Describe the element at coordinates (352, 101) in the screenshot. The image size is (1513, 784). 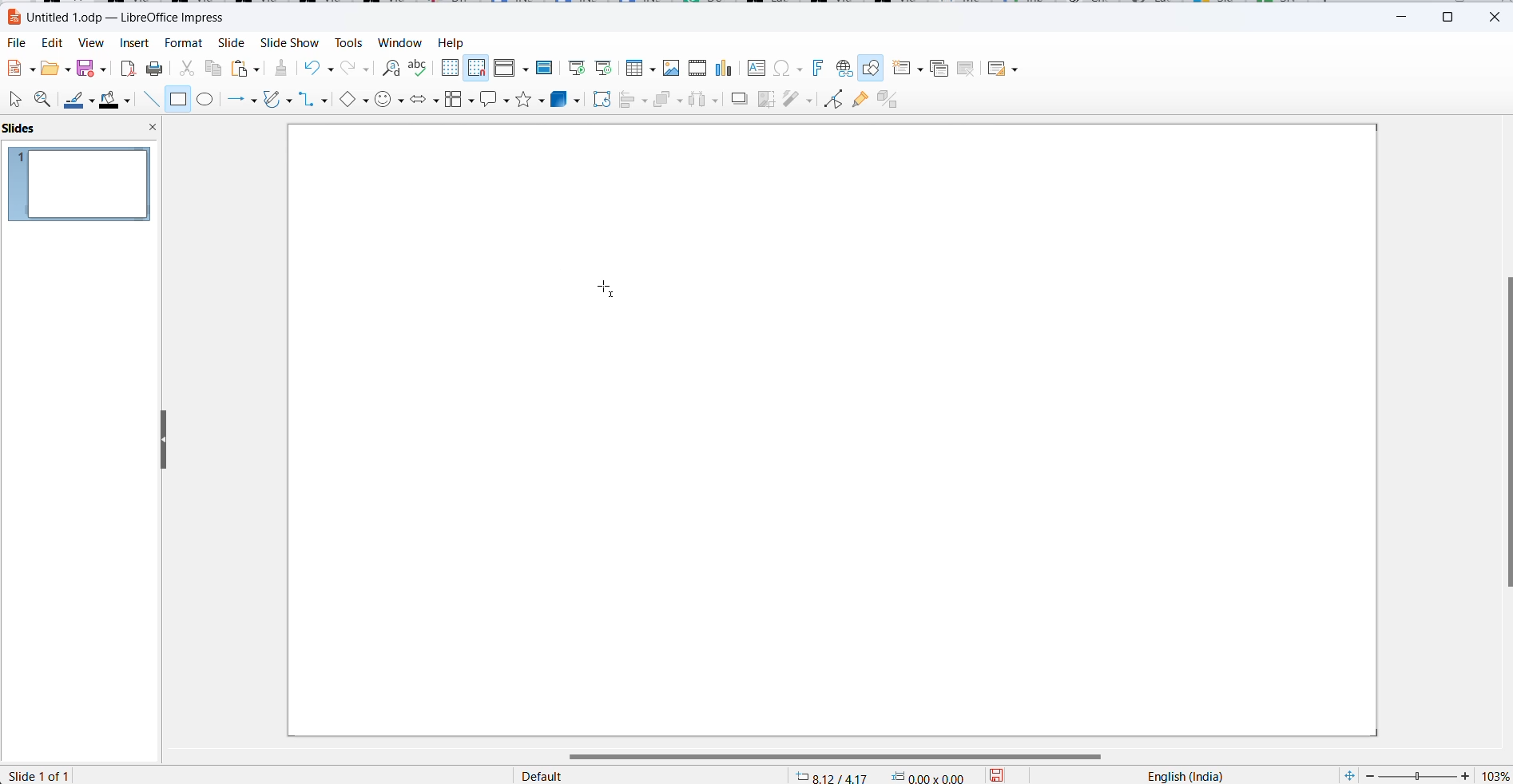
I see `basic shapes` at that location.